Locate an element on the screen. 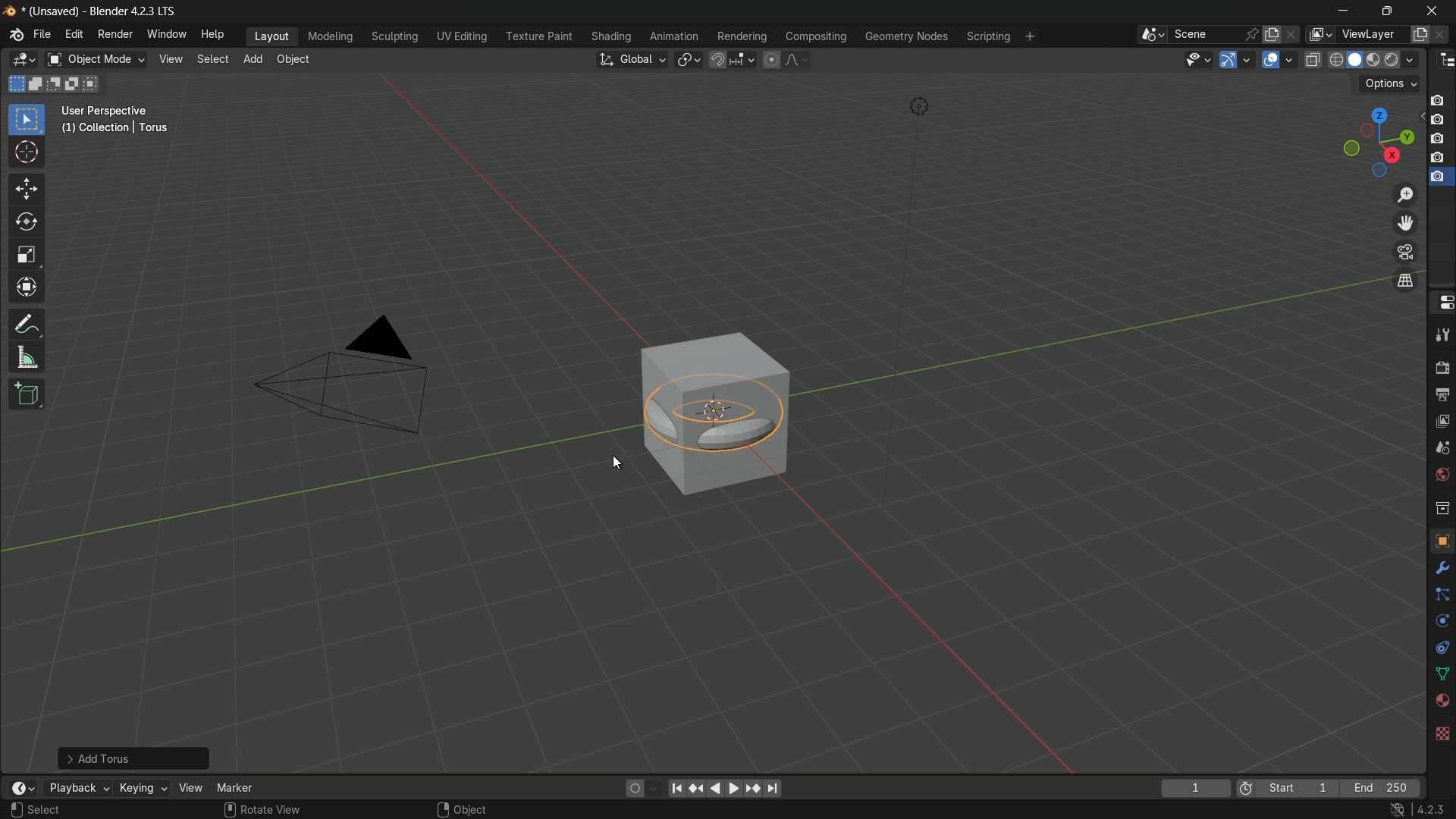 Image resolution: width=1456 pixels, height=819 pixels. tools is located at coordinates (1442, 332).